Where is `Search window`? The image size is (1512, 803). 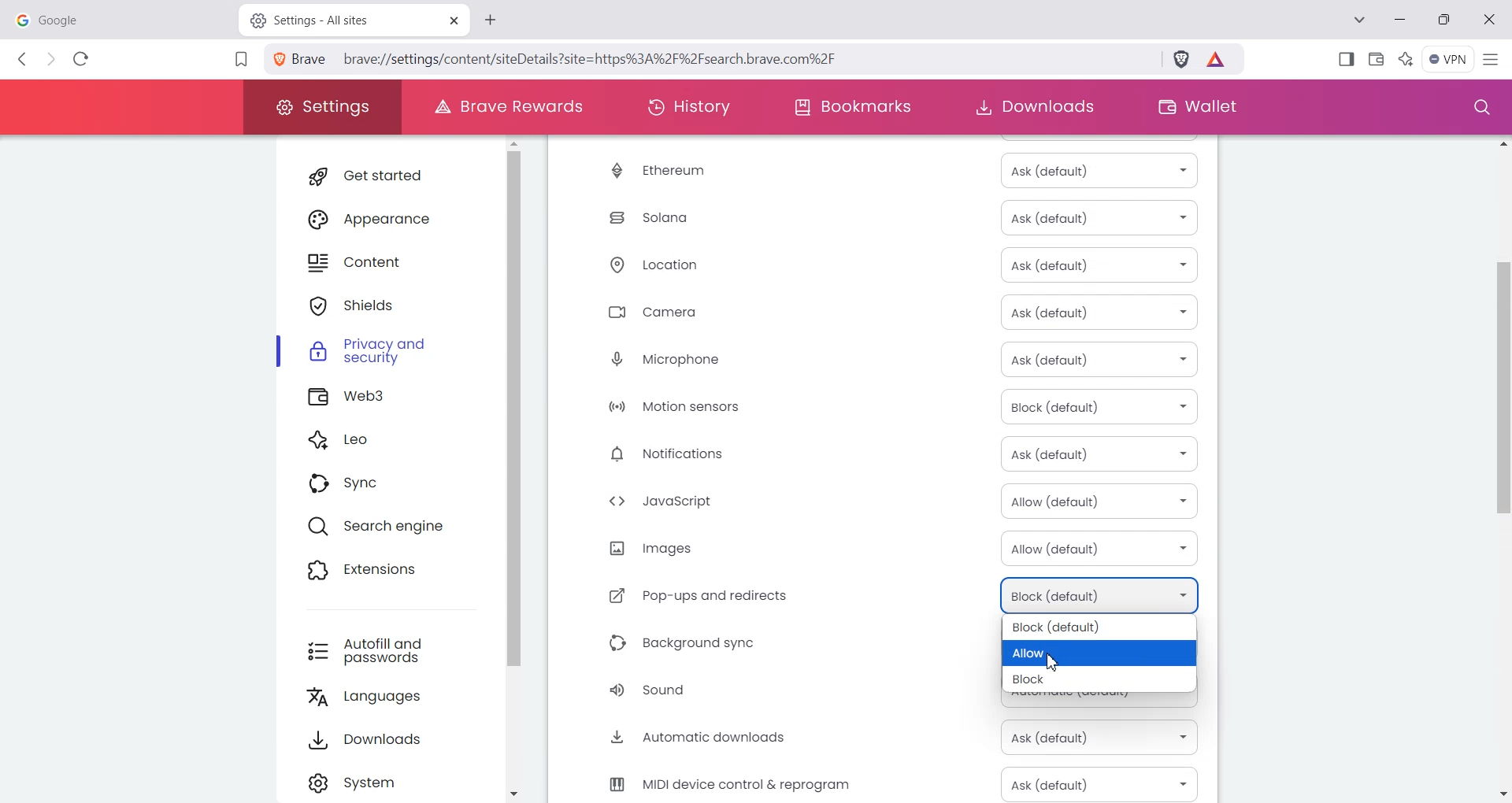 Search window is located at coordinates (1478, 108).